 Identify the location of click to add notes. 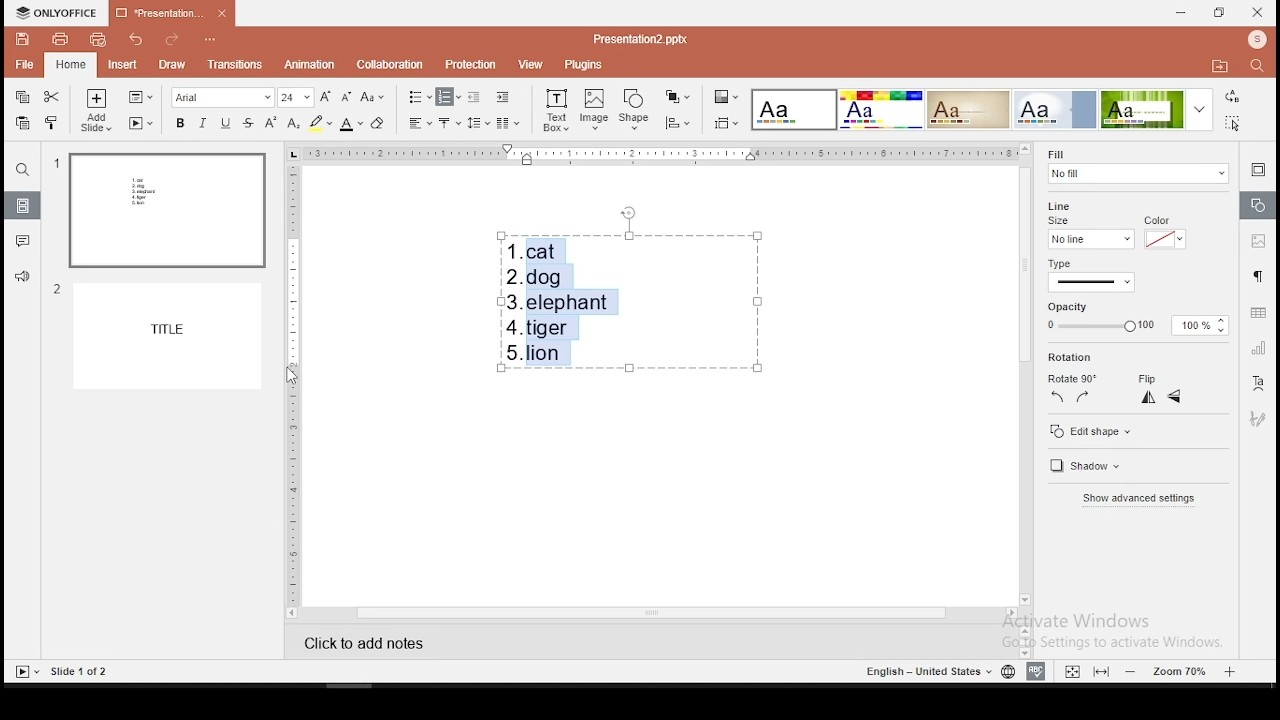
(377, 640).